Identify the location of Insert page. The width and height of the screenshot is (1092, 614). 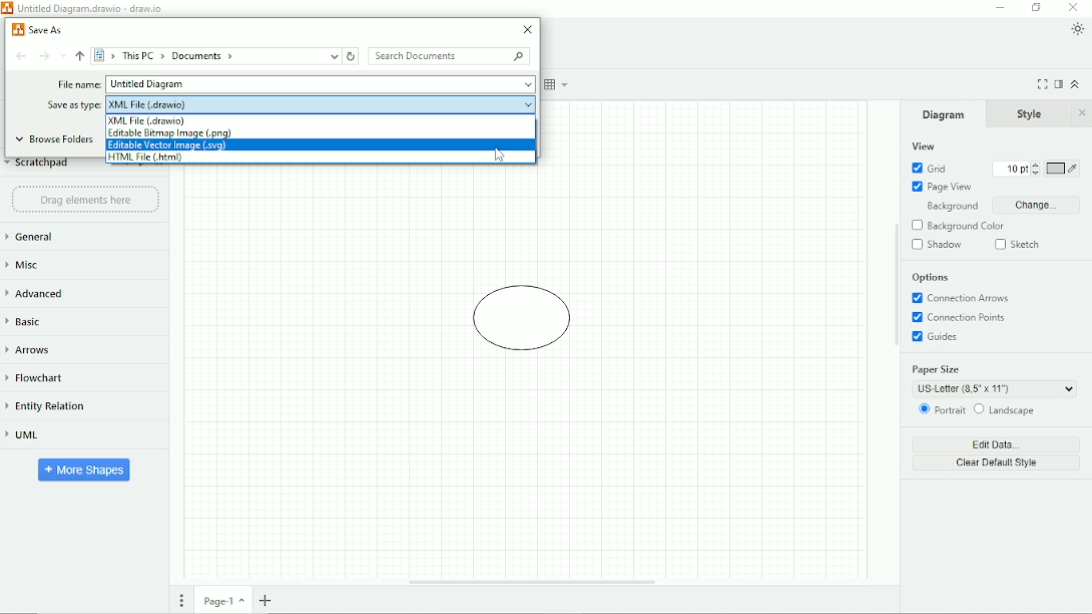
(265, 600).